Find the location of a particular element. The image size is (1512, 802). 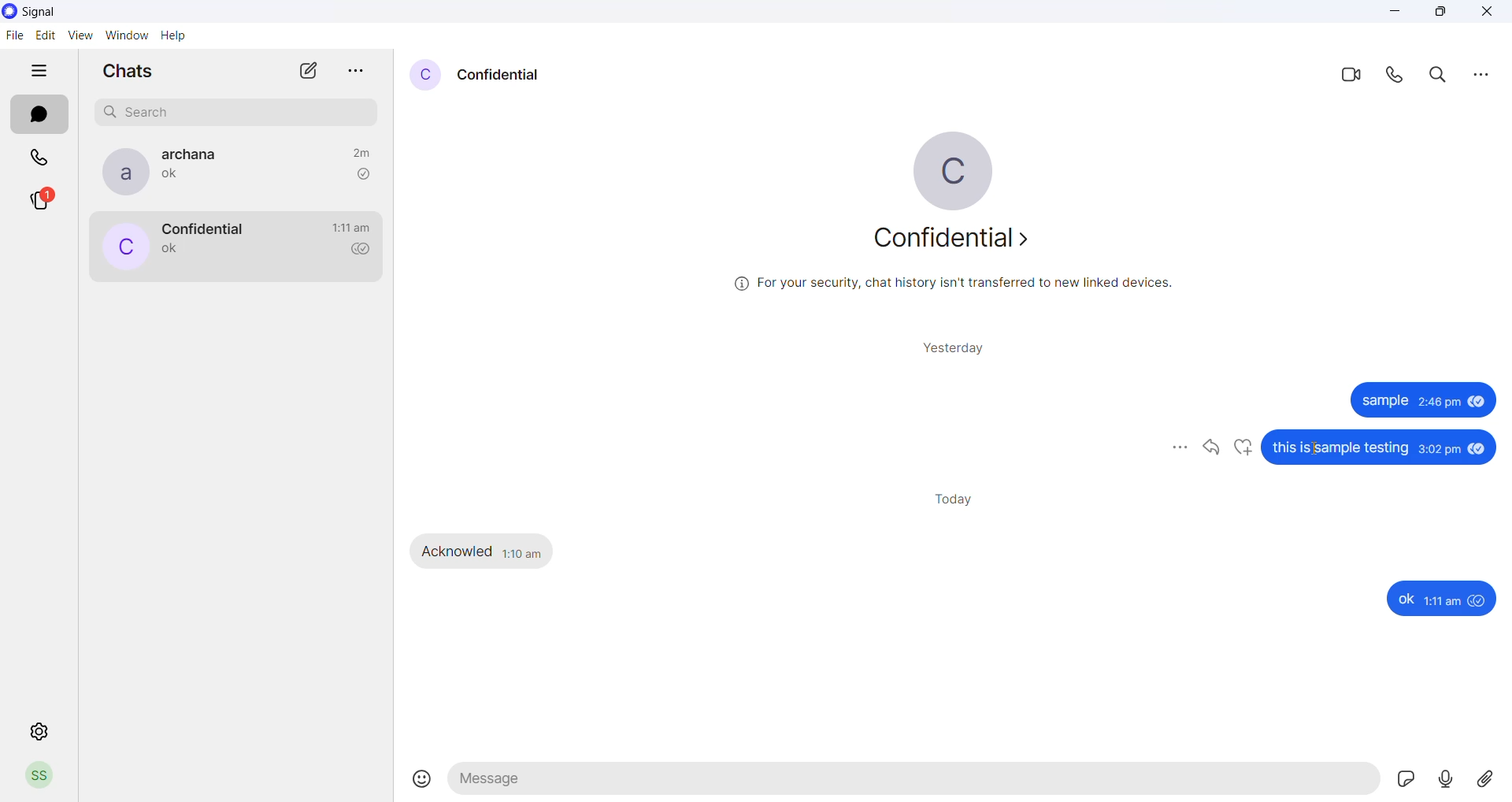

read recipient is located at coordinates (363, 174).